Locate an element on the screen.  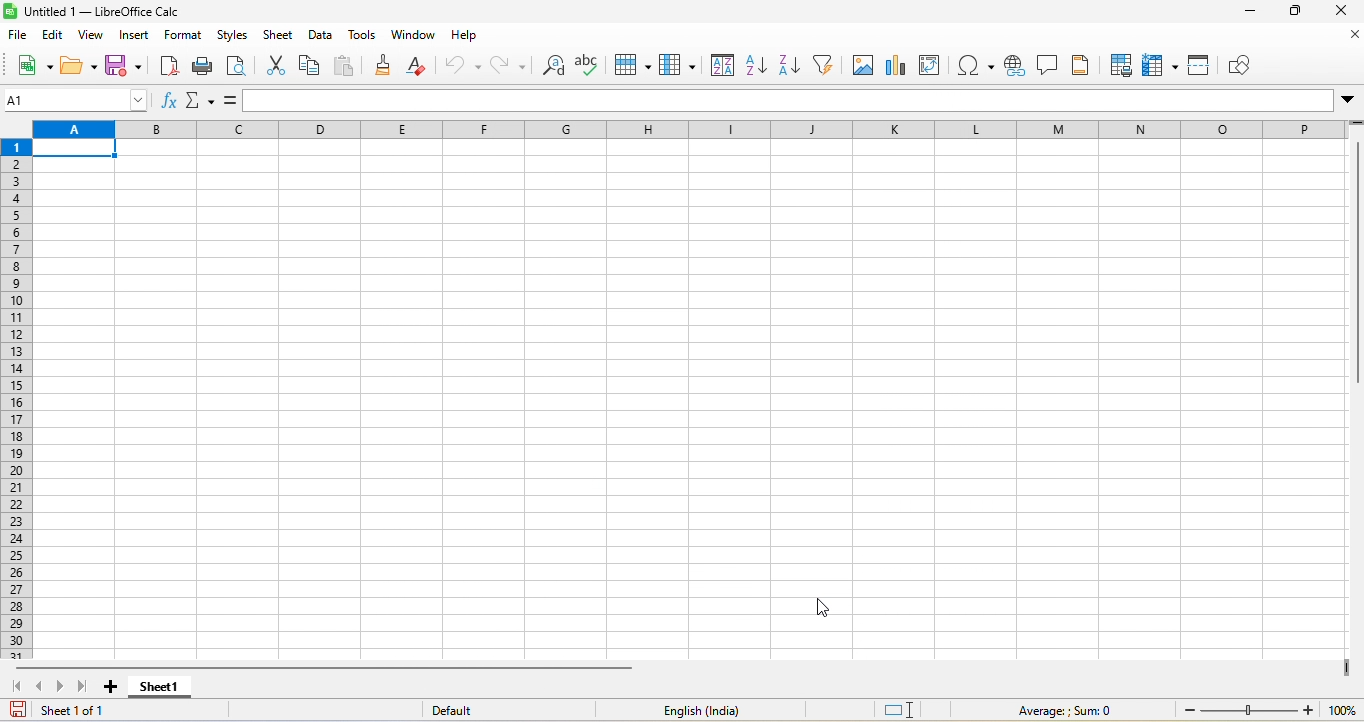
undo is located at coordinates (461, 65).